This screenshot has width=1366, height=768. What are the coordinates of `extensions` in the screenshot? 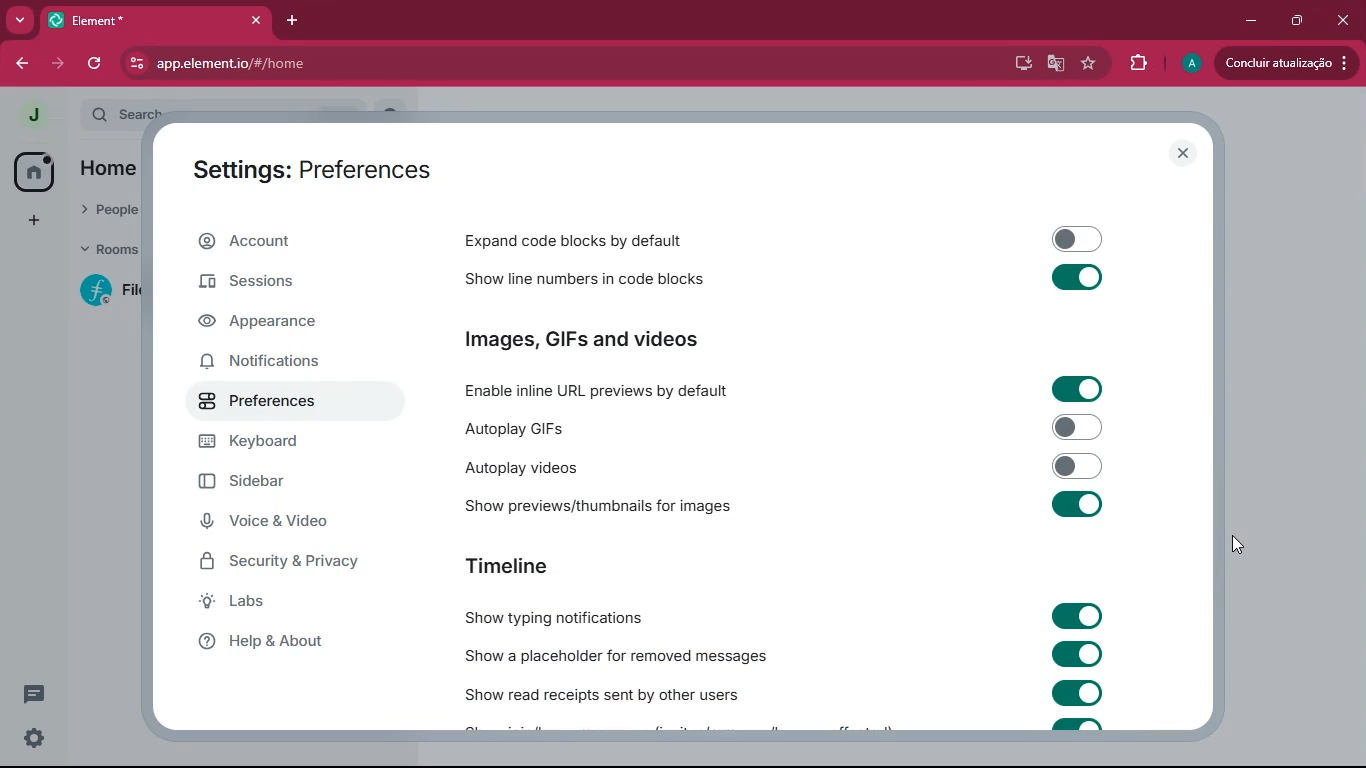 It's located at (1139, 63).